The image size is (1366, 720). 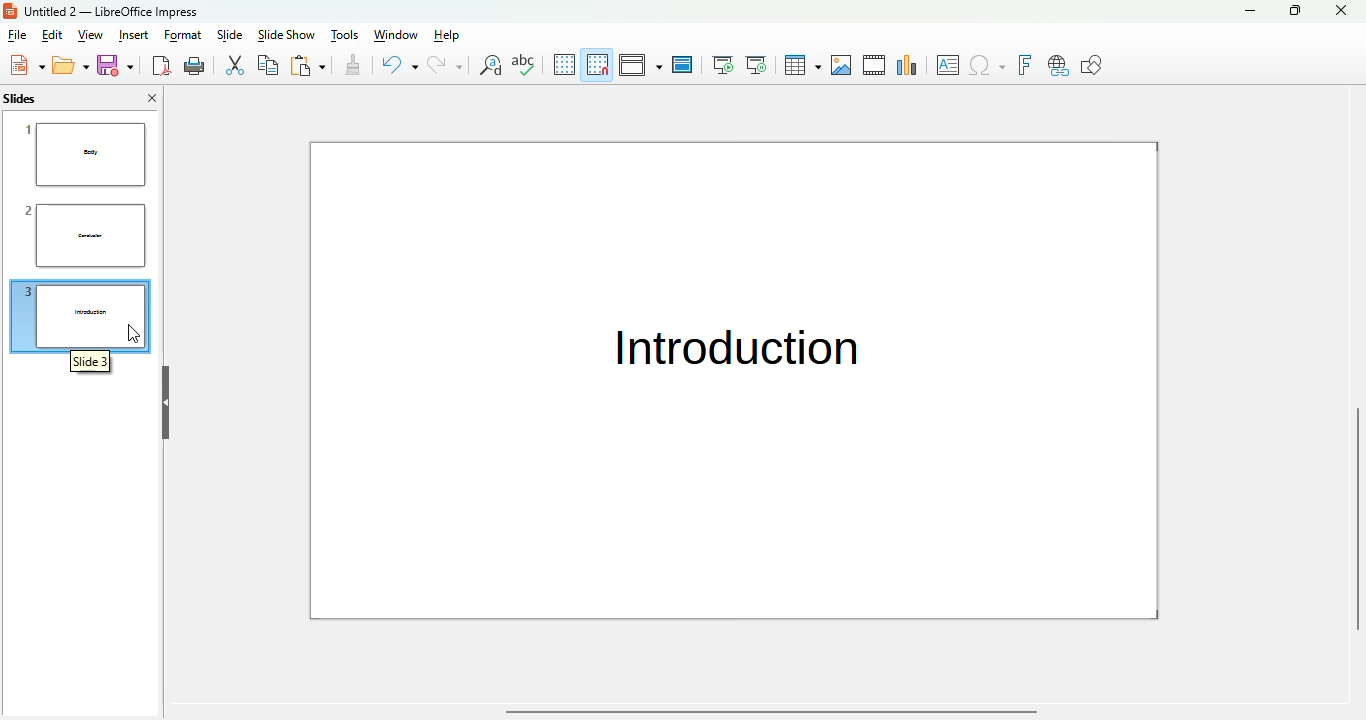 I want to click on cut, so click(x=233, y=65).